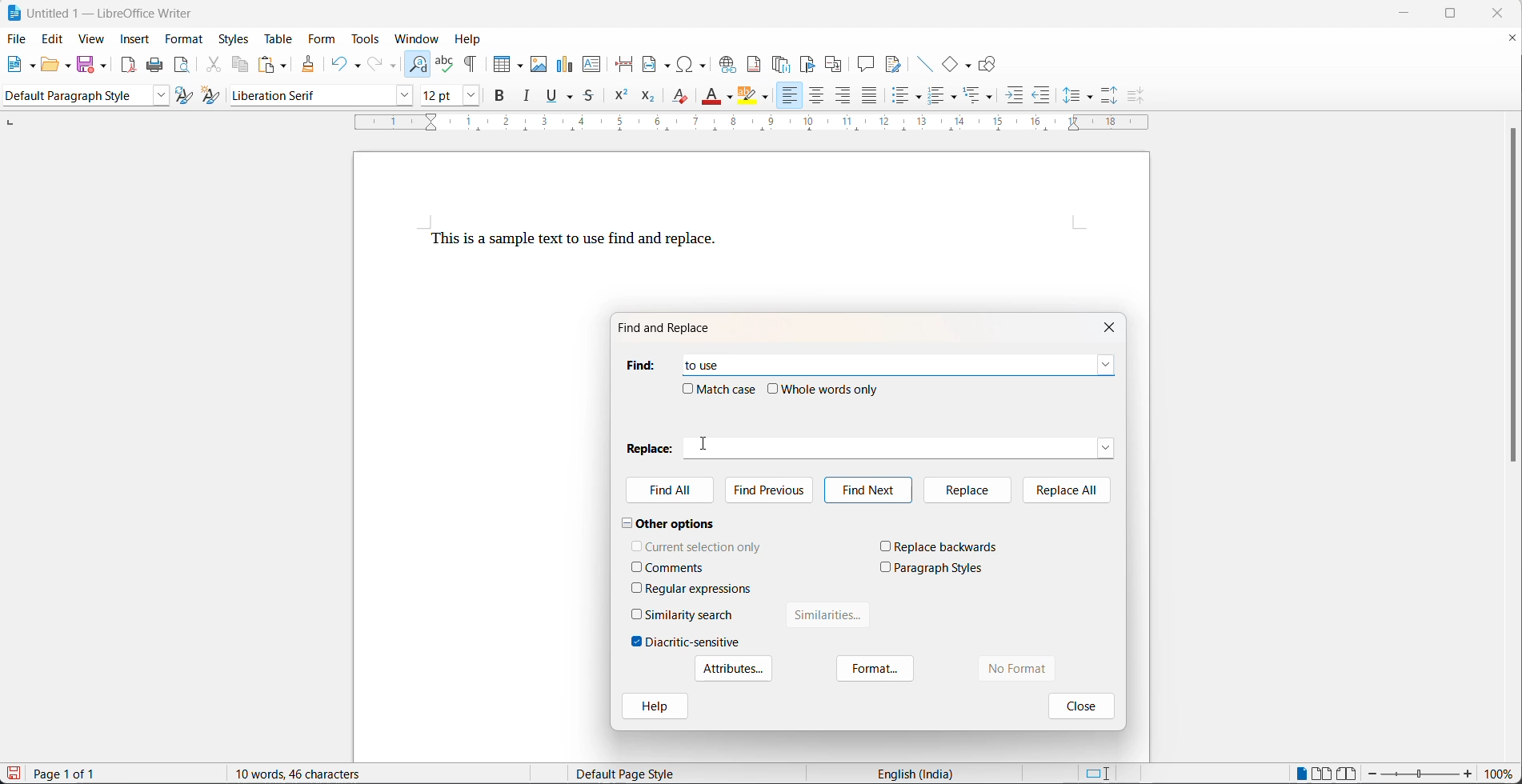 The height and width of the screenshot is (784, 1522). Describe the element at coordinates (1462, 15) in the screenshot. I see `maximize` at that location.